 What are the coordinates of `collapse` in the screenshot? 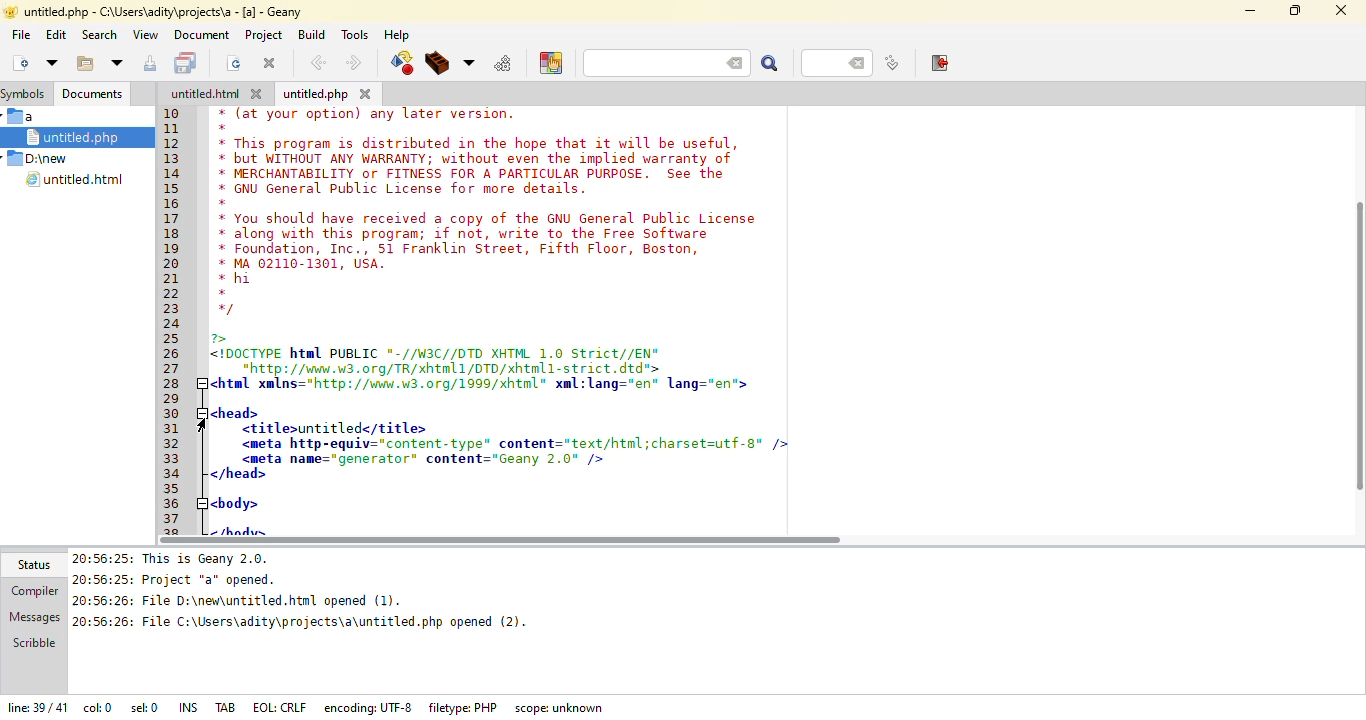 It's located at (202, 413).